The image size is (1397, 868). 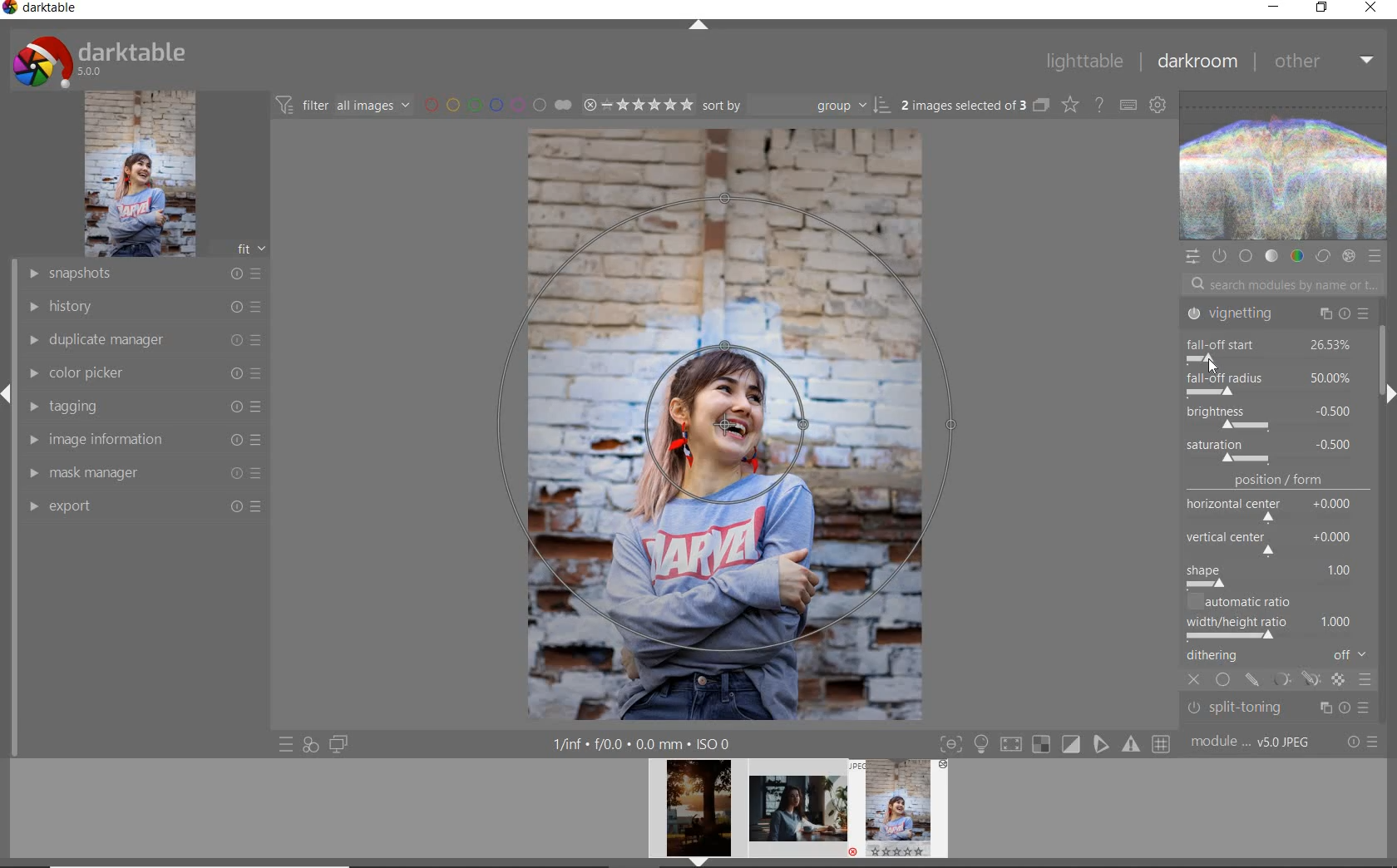 I want to click on filter by image color label, so click(x=496, y=104).